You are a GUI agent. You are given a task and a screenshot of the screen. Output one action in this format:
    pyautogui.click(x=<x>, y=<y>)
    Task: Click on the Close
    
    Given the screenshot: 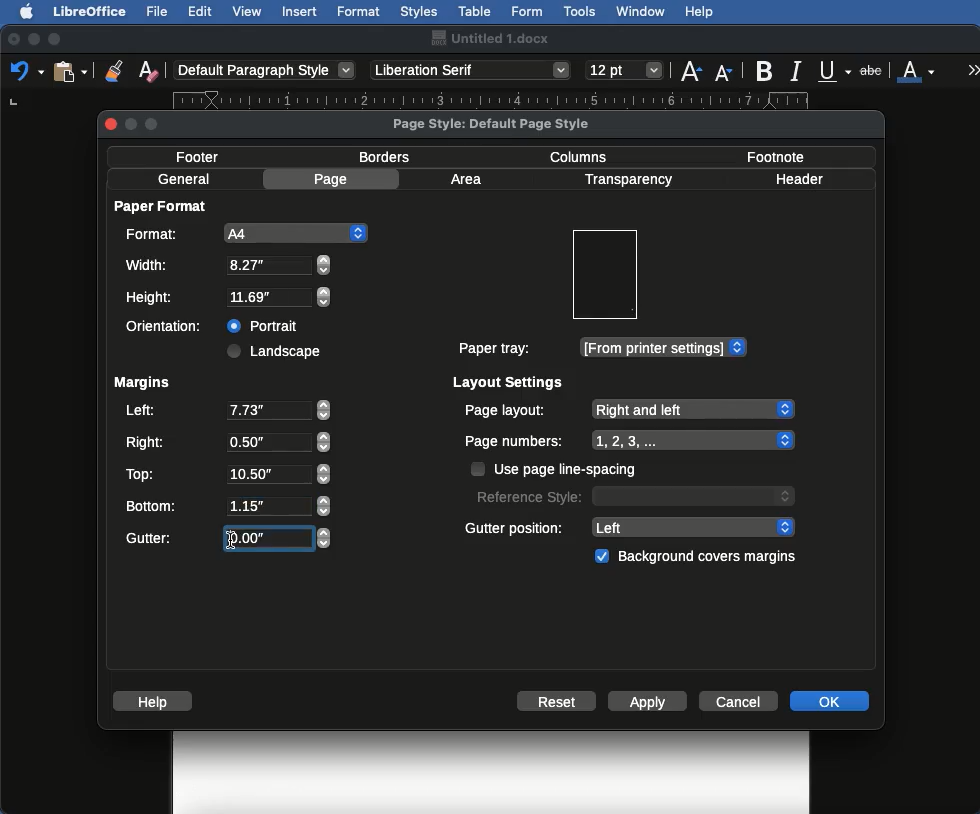 What is the action you would take?
    pyautogui.click(x=14, y=40)
    